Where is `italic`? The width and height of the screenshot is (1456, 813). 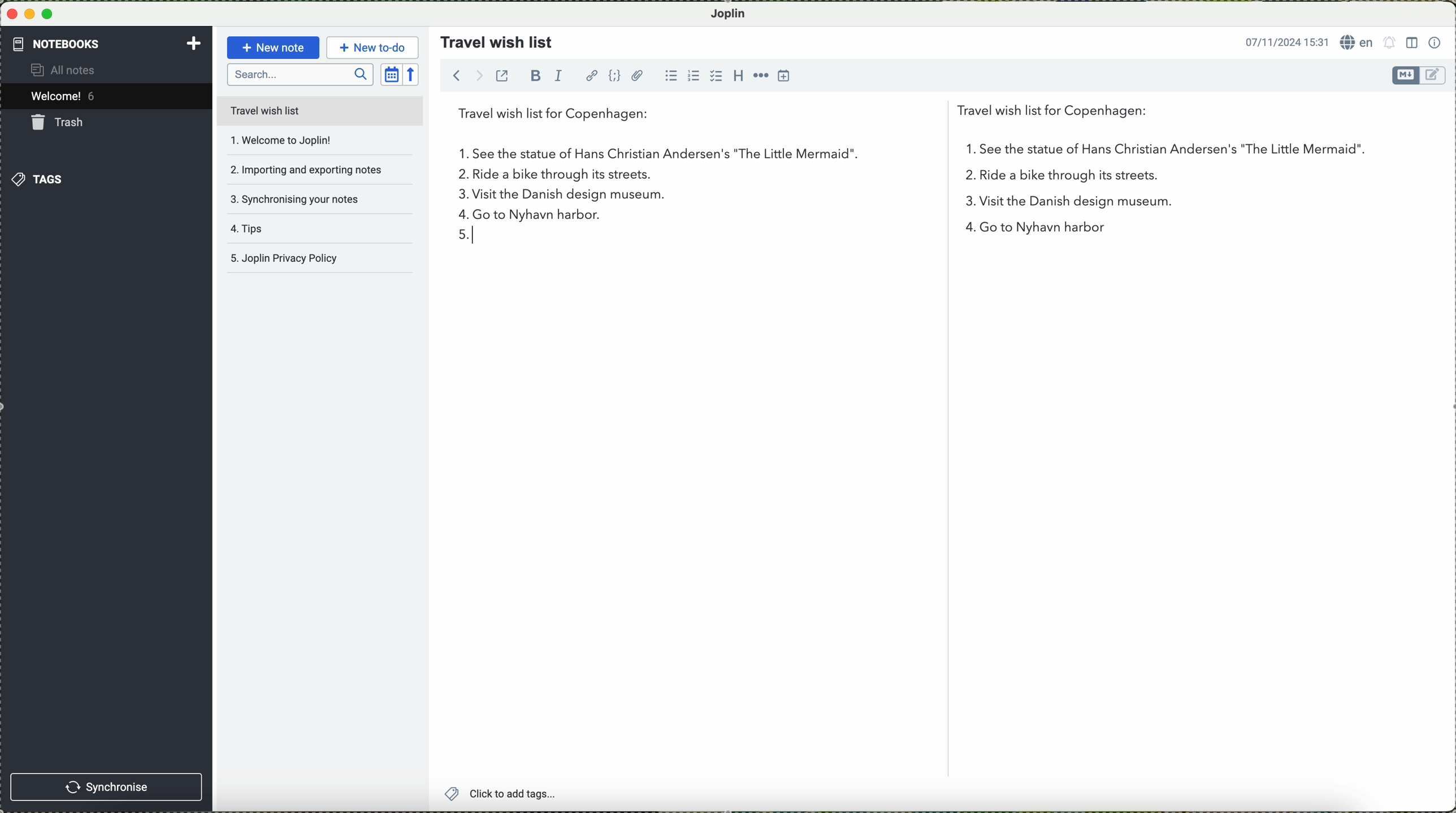 italic is located at coordinates (562, 77).